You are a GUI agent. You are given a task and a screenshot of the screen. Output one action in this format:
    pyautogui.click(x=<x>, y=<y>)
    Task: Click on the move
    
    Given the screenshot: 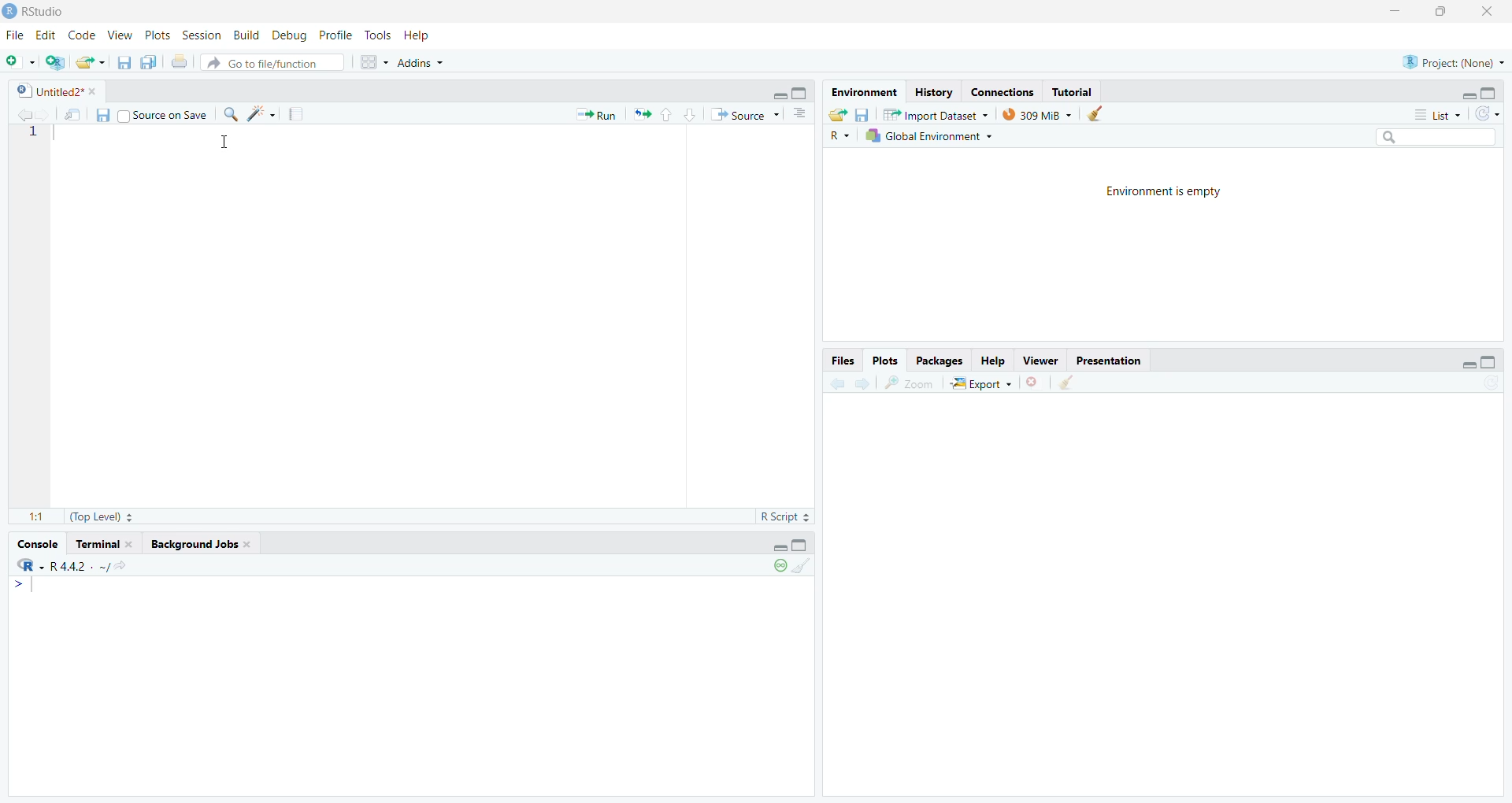 What is the action you would take?
    pyautogui.click(x=73, y=115)
    